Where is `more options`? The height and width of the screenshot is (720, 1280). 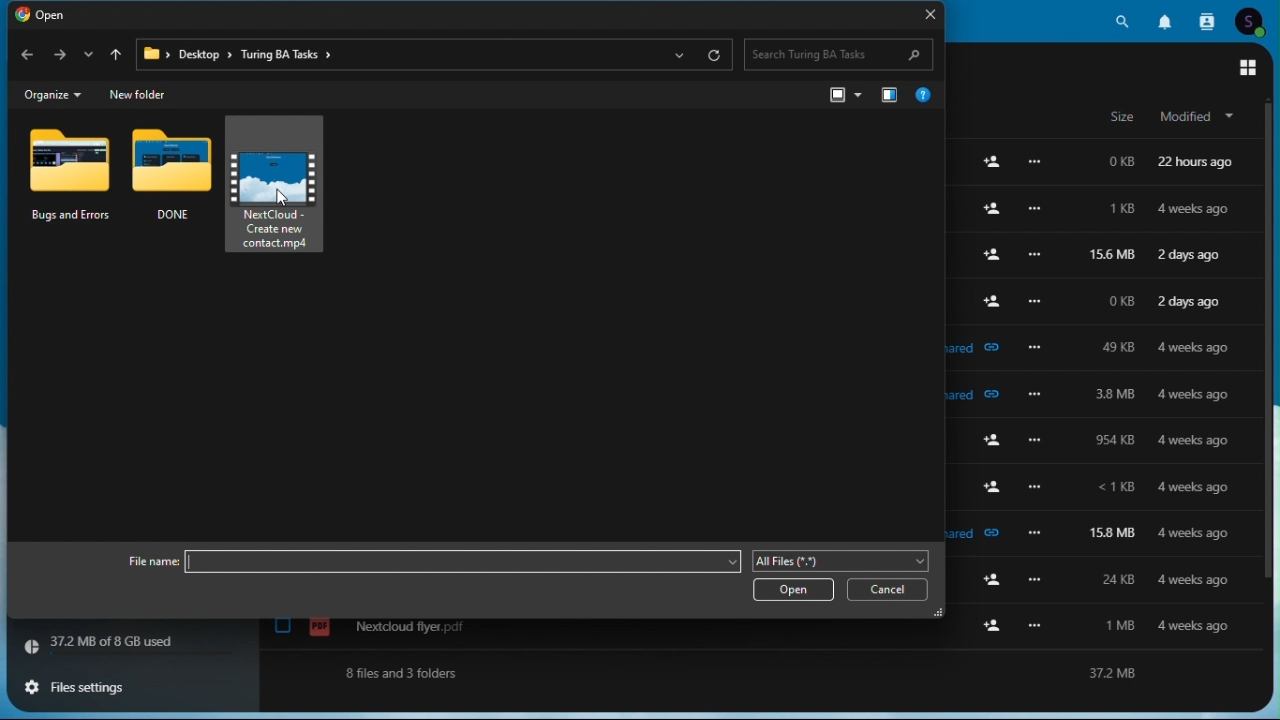
more options is located at coordinates (1036, 487).